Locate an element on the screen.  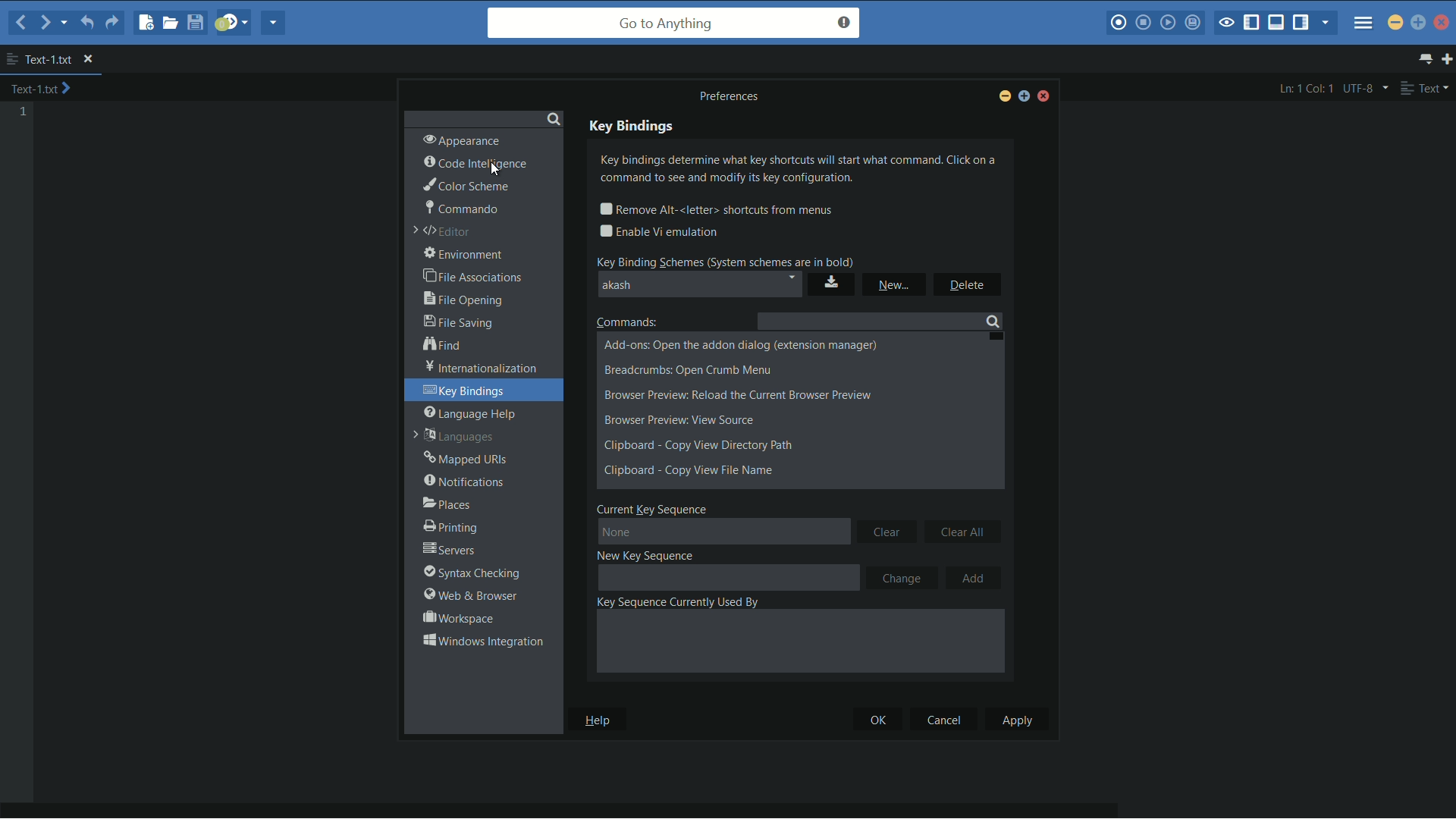
new tab is located at coordinates (1447, 58).